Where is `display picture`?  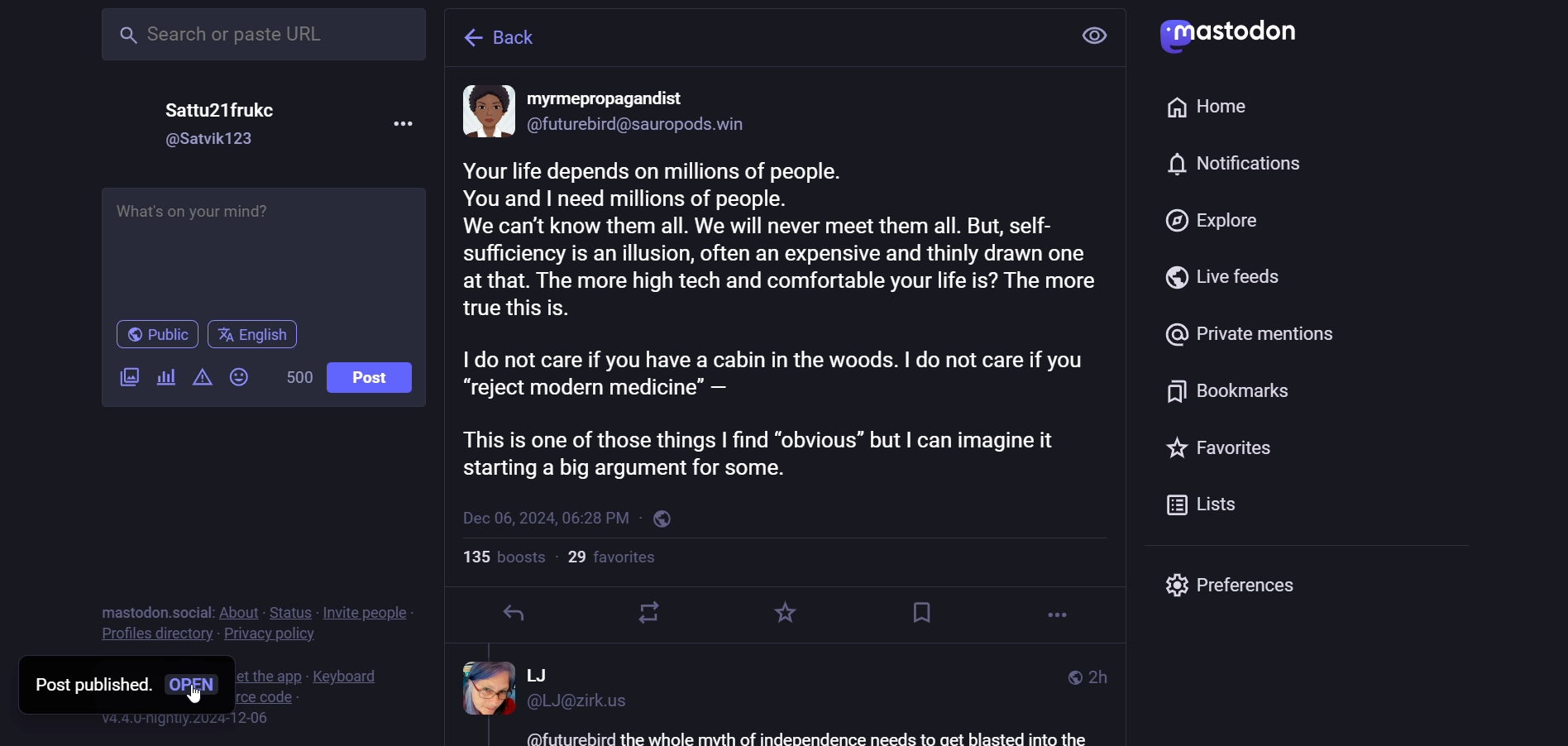 display picture is located at coordinates (482, 688).